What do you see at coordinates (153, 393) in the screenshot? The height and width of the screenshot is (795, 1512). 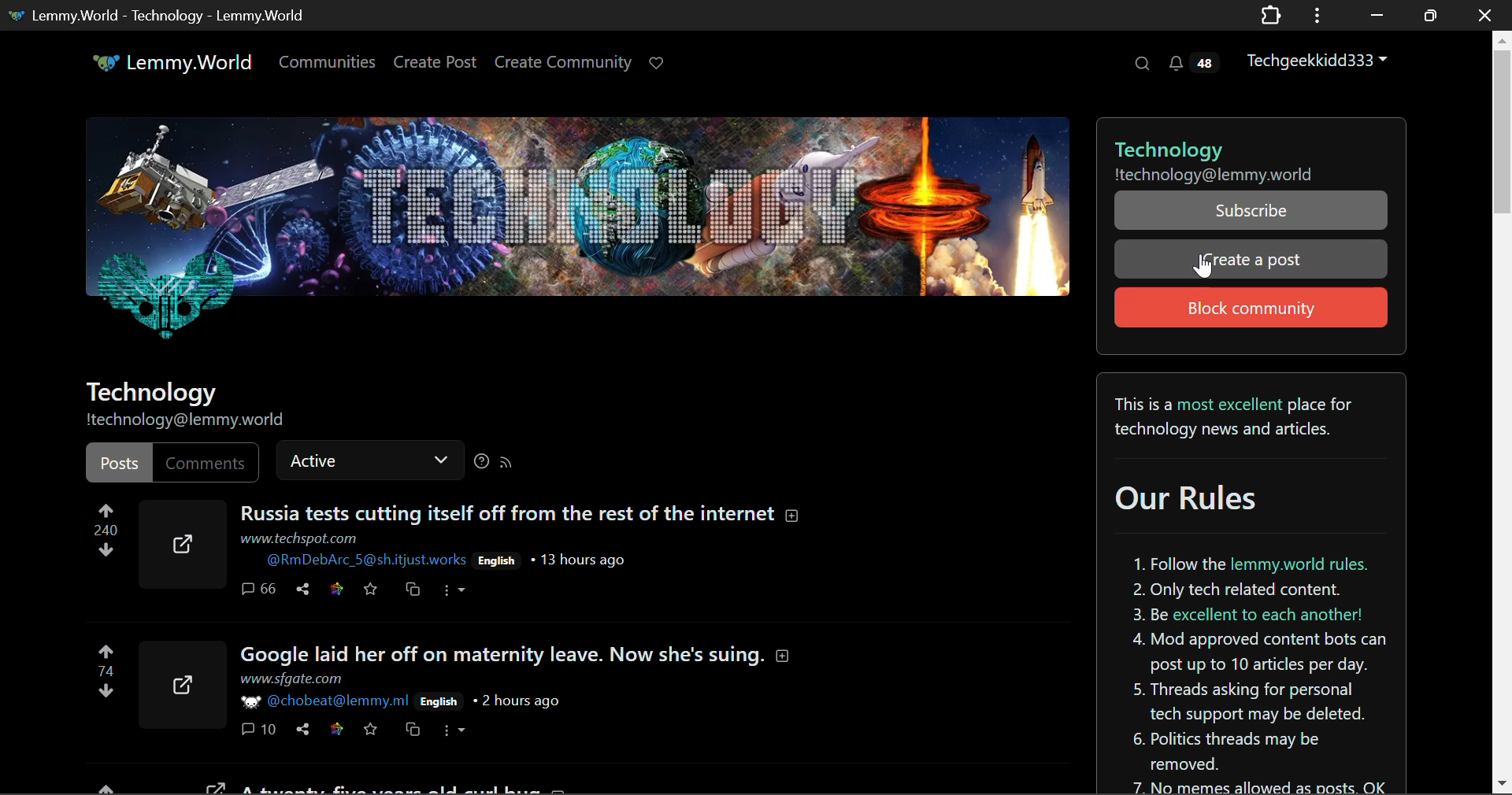 I see `Technology` at bounding box center [153, 393].